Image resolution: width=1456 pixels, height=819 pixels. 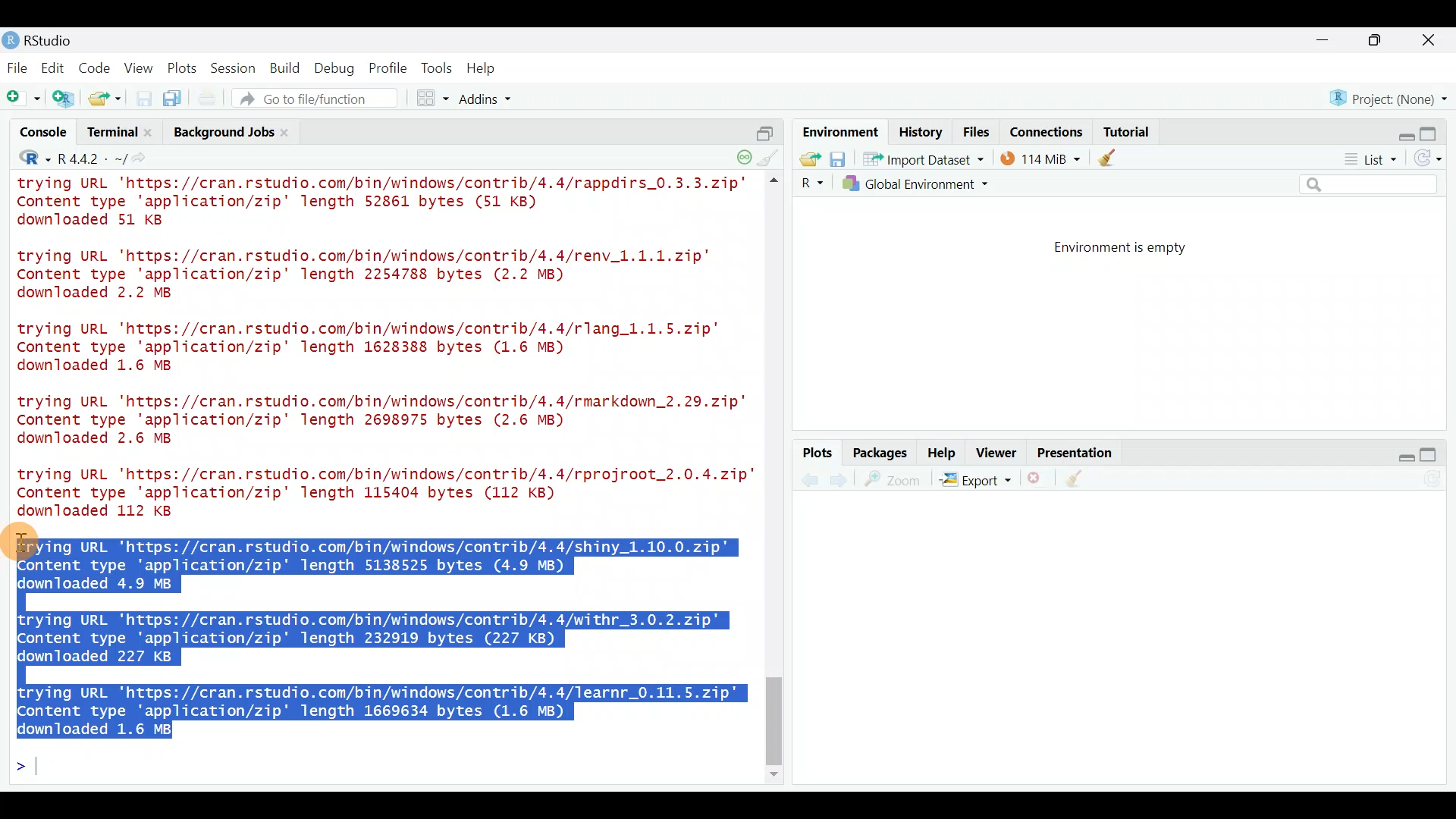 What do you see at coordinates (333, 69) in the screenshot?
I see `Debug` at bounding box center [333, 69].